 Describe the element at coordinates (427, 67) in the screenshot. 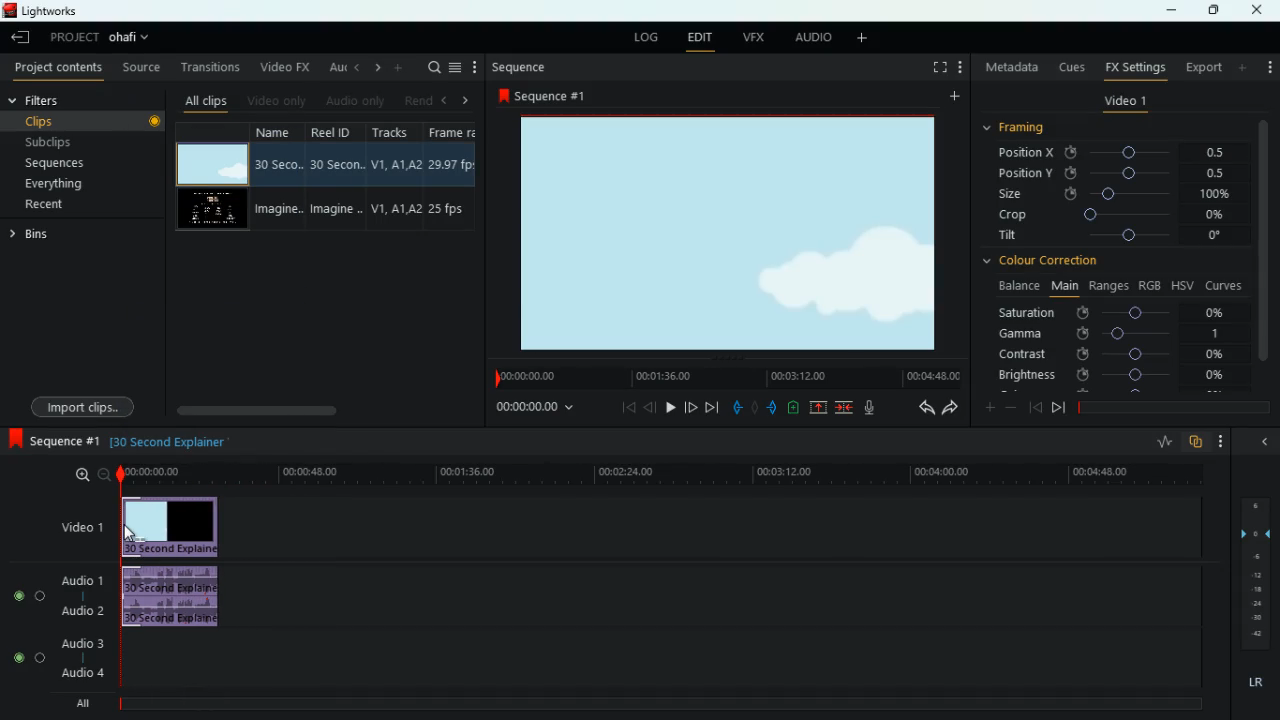

I see `search` at that location.